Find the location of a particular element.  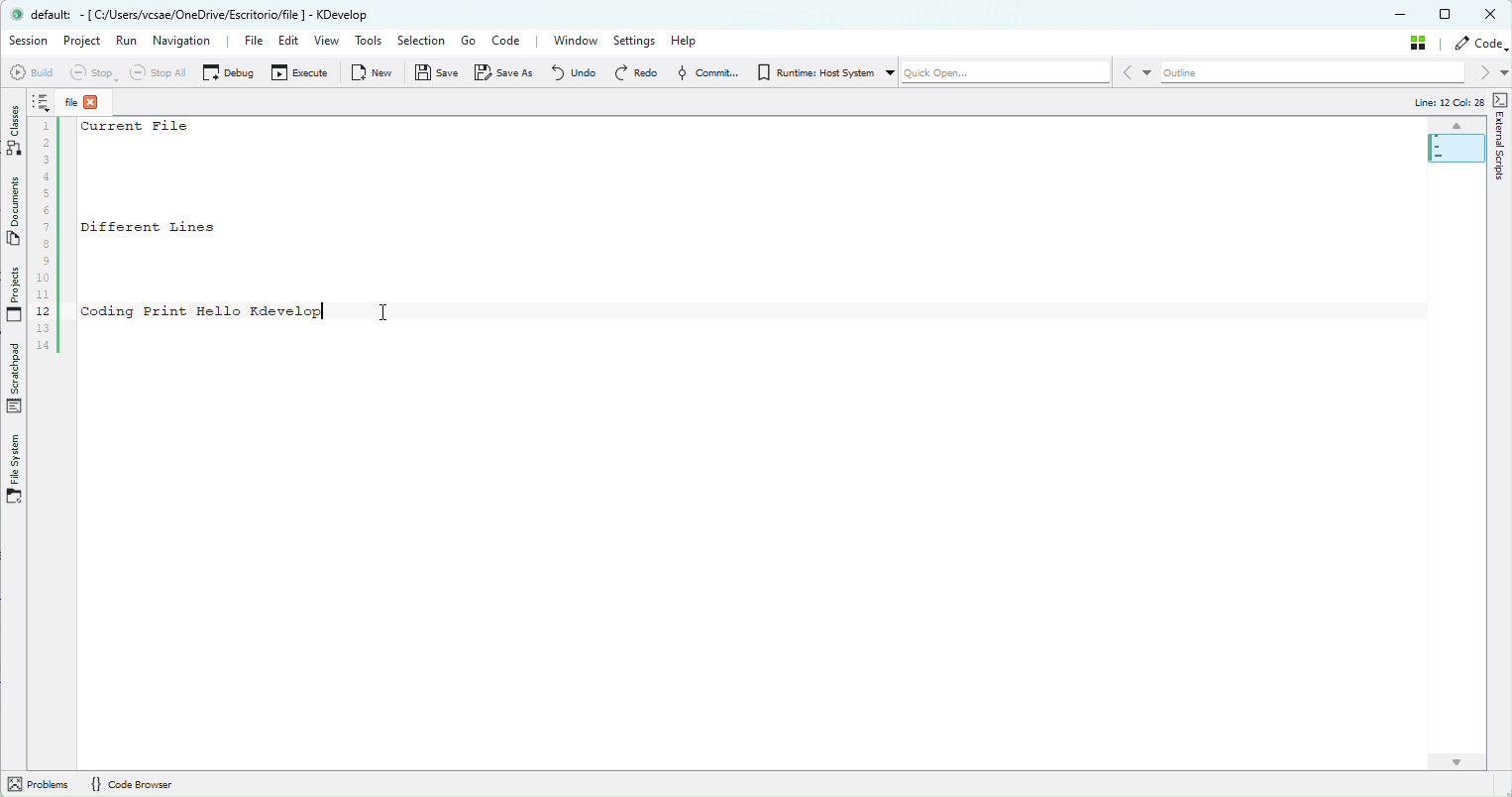

Settings is located at coordinates (634, 41).